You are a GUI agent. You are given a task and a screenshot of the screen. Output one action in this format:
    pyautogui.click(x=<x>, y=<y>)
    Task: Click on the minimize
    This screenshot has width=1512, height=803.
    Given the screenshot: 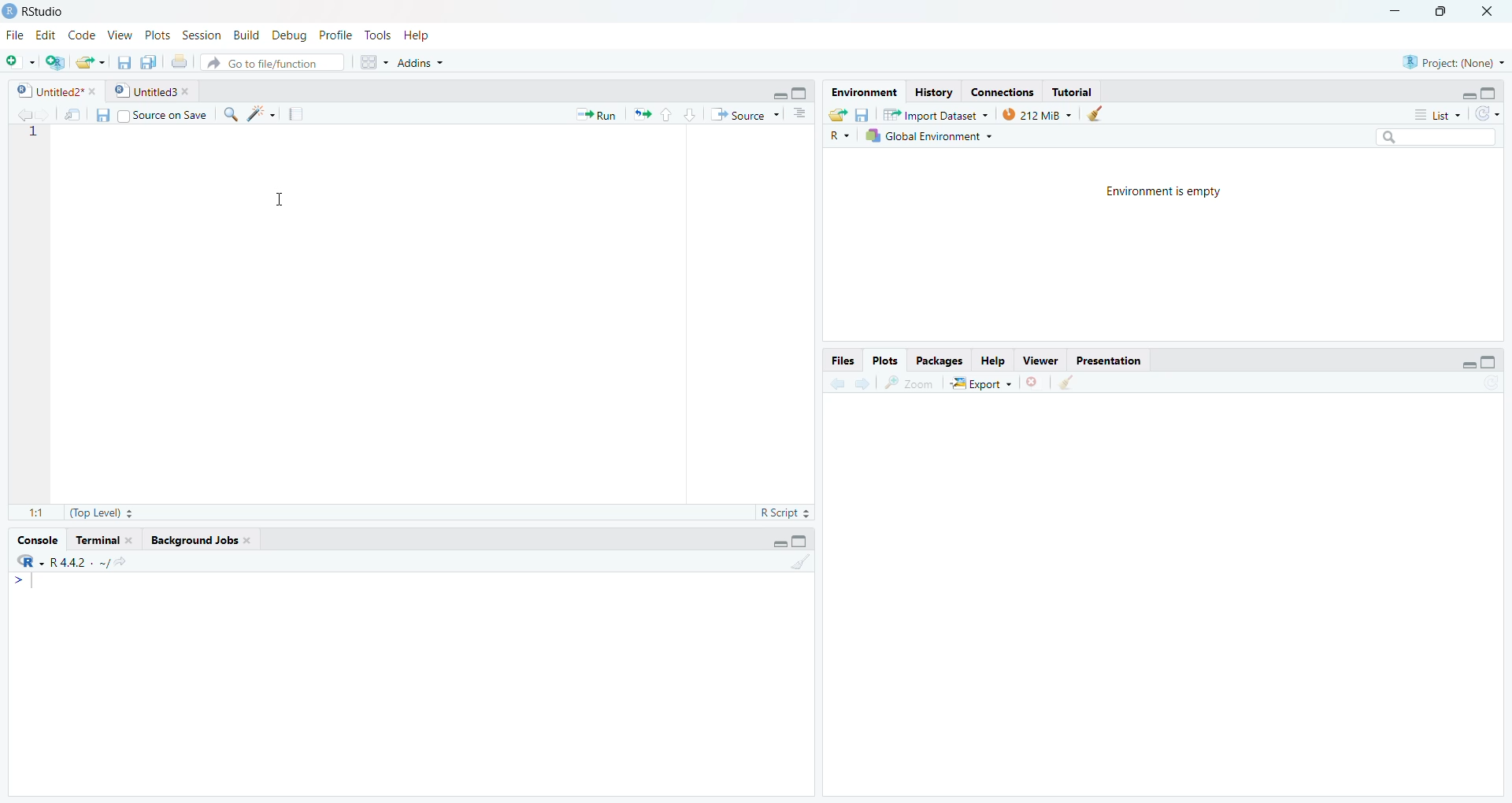 What is the action you would take?
    pyautogui.click(x=769, y=543)
    